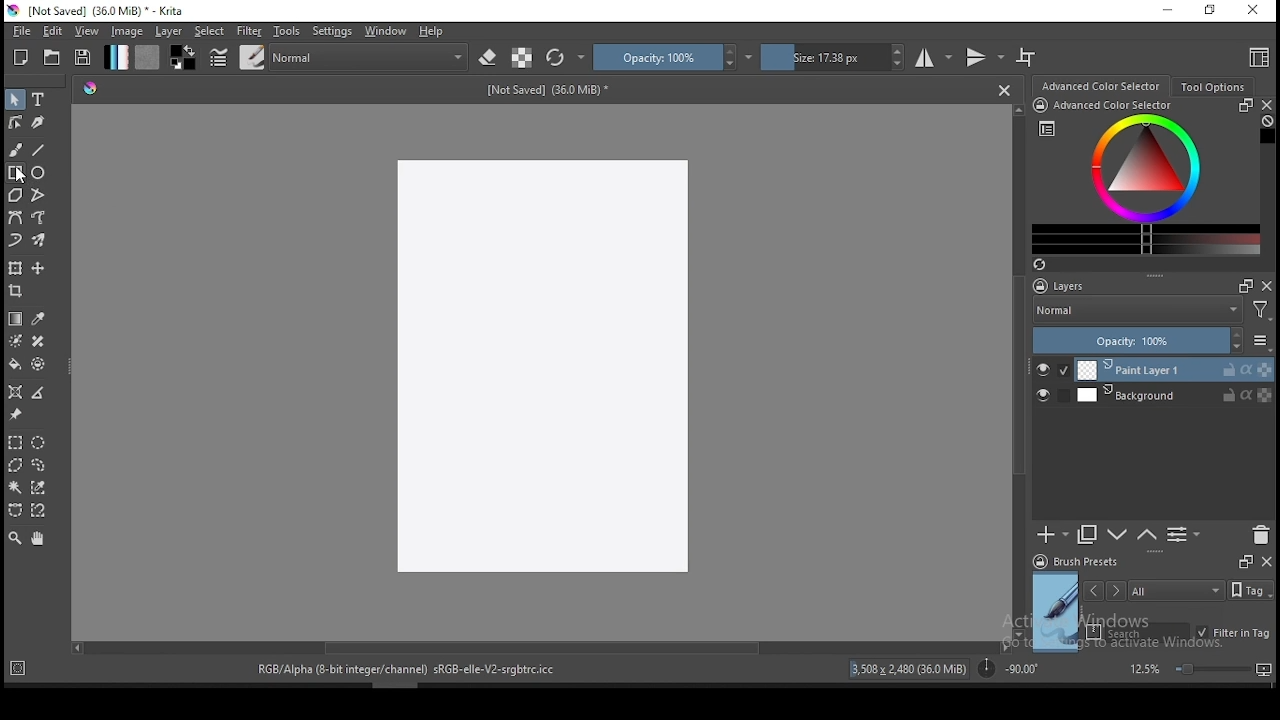 This screenshot has width=1280, height=720. Describe the element at coordinates (52, 57) in the screenshot. I see `open` at that location.